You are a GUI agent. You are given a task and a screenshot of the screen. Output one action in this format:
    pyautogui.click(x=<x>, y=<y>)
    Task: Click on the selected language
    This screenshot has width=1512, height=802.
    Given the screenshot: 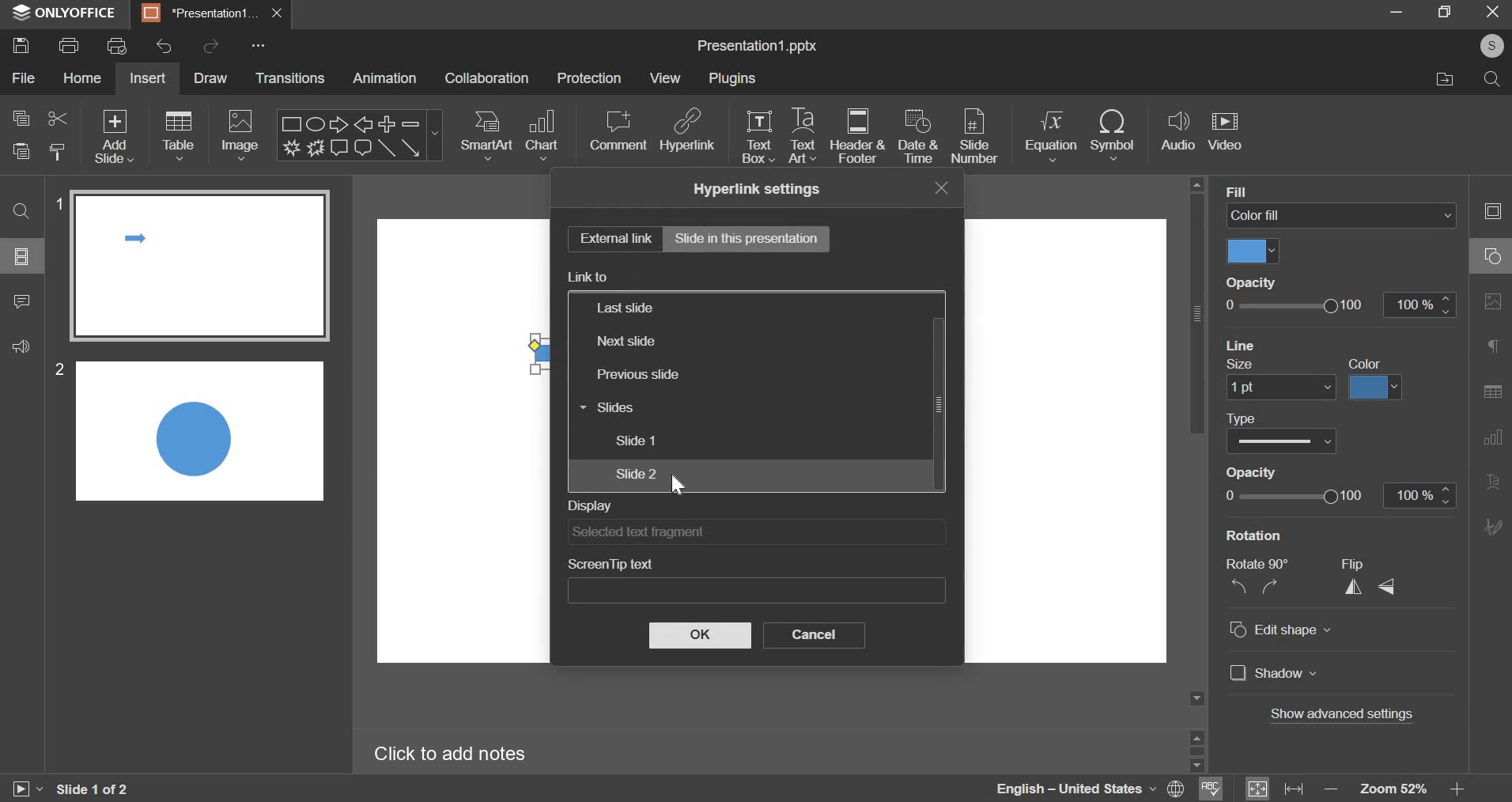 What is the action you would take?
    pyautogui.click(x=1090, y=789)
    